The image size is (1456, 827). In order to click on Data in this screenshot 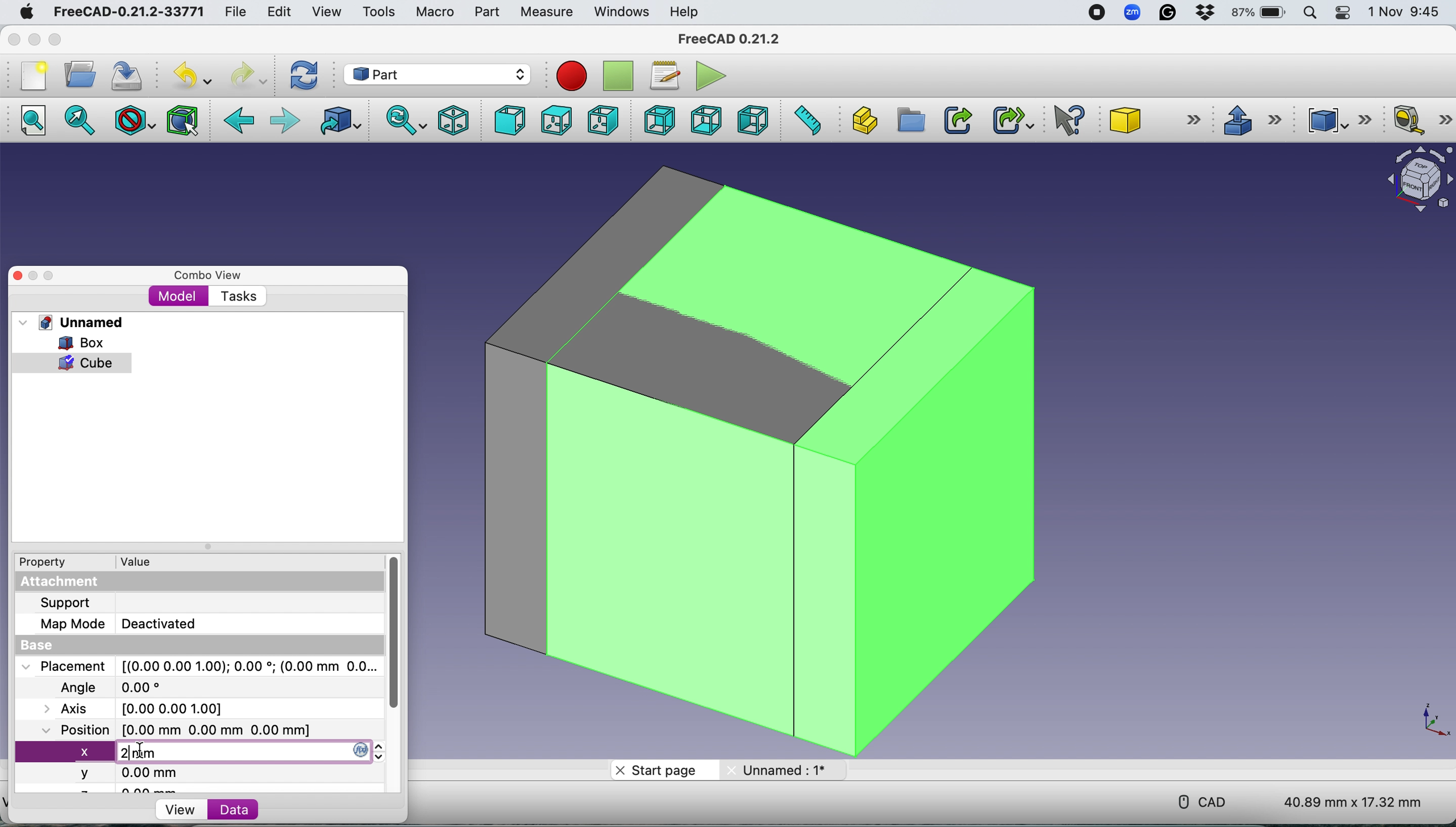, I will do `click(260, 811)`.